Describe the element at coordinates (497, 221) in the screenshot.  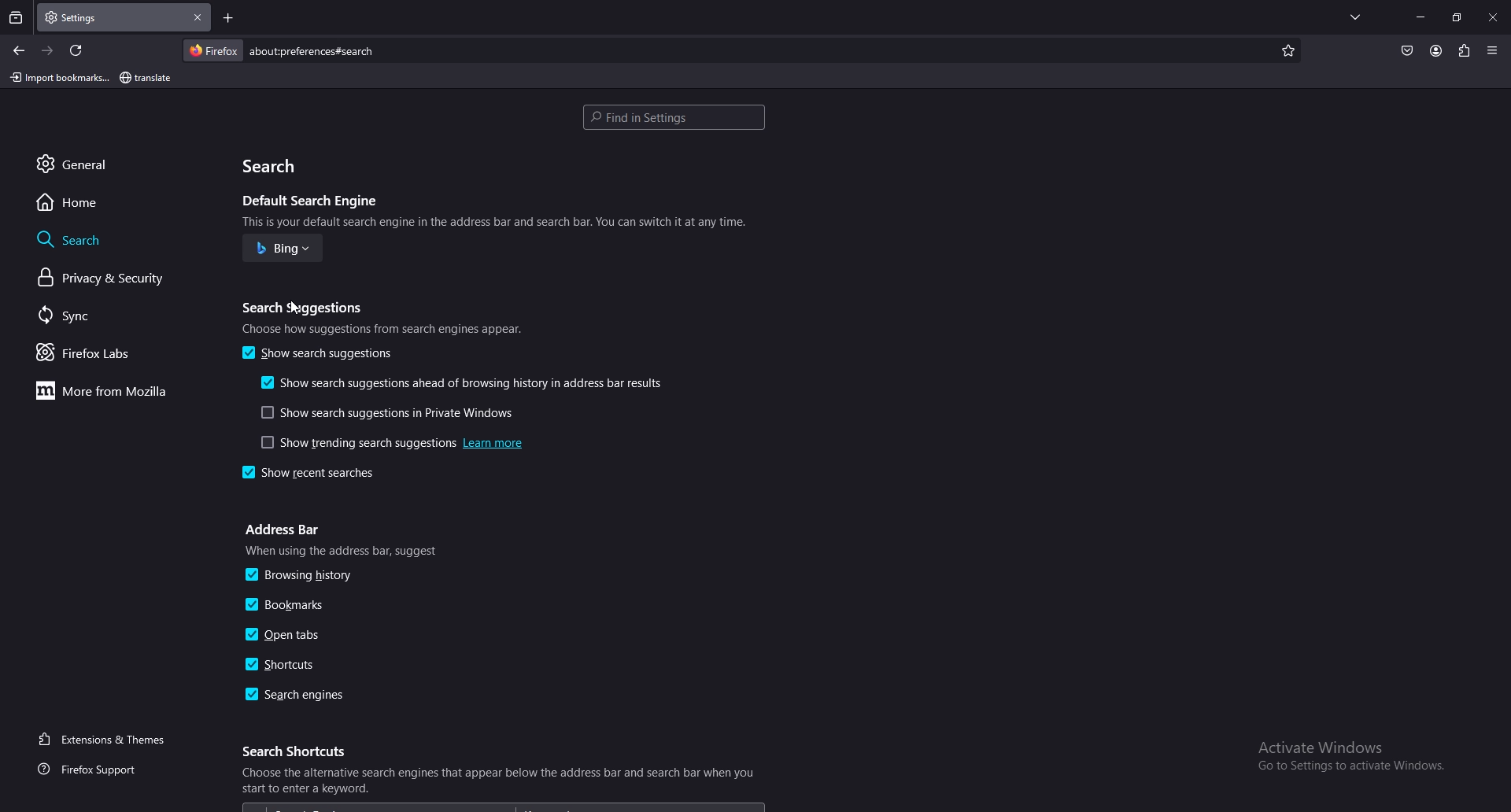
I see `info` at that location.